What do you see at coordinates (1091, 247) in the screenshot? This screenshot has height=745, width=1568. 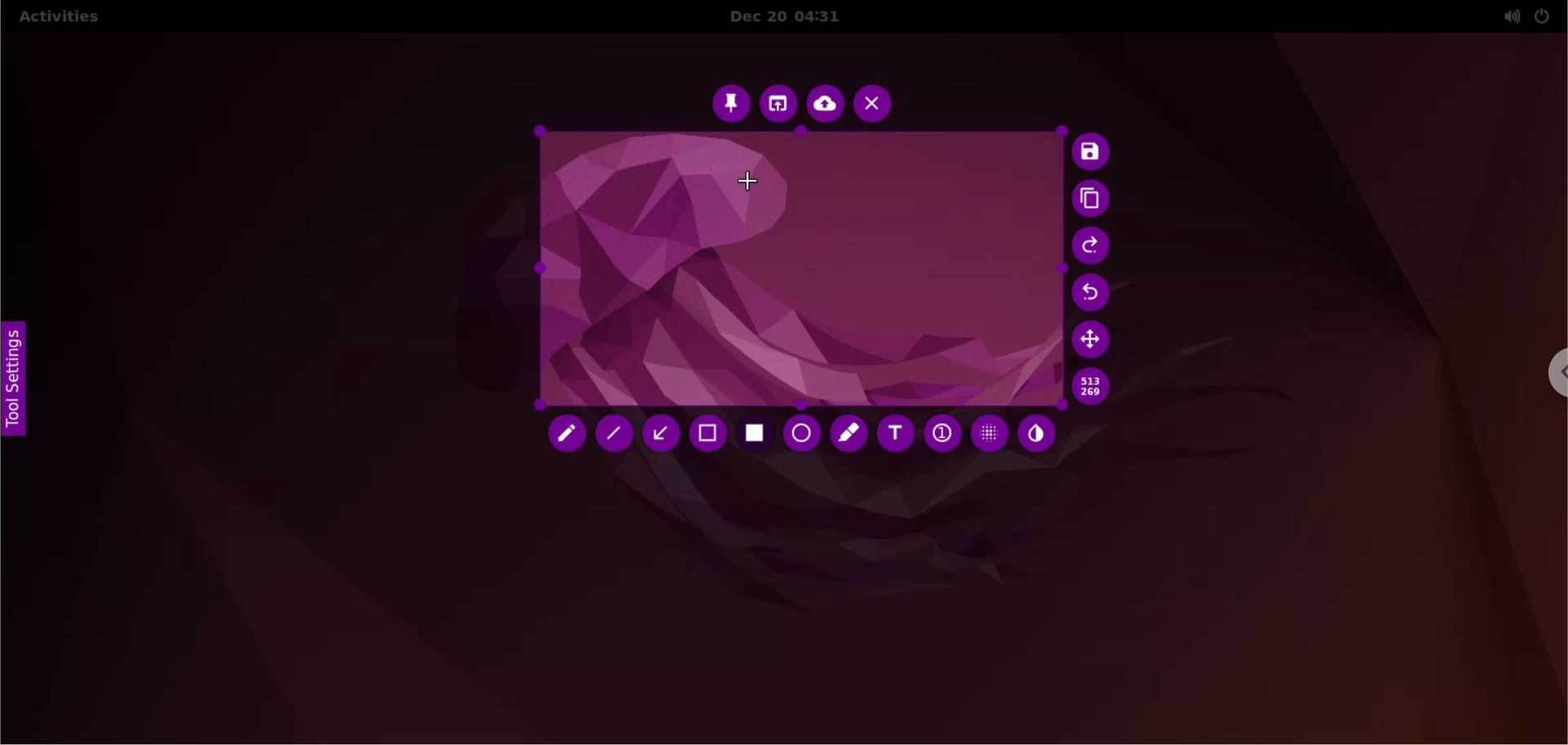 I see `redo` at bounding box center [1091, 247].